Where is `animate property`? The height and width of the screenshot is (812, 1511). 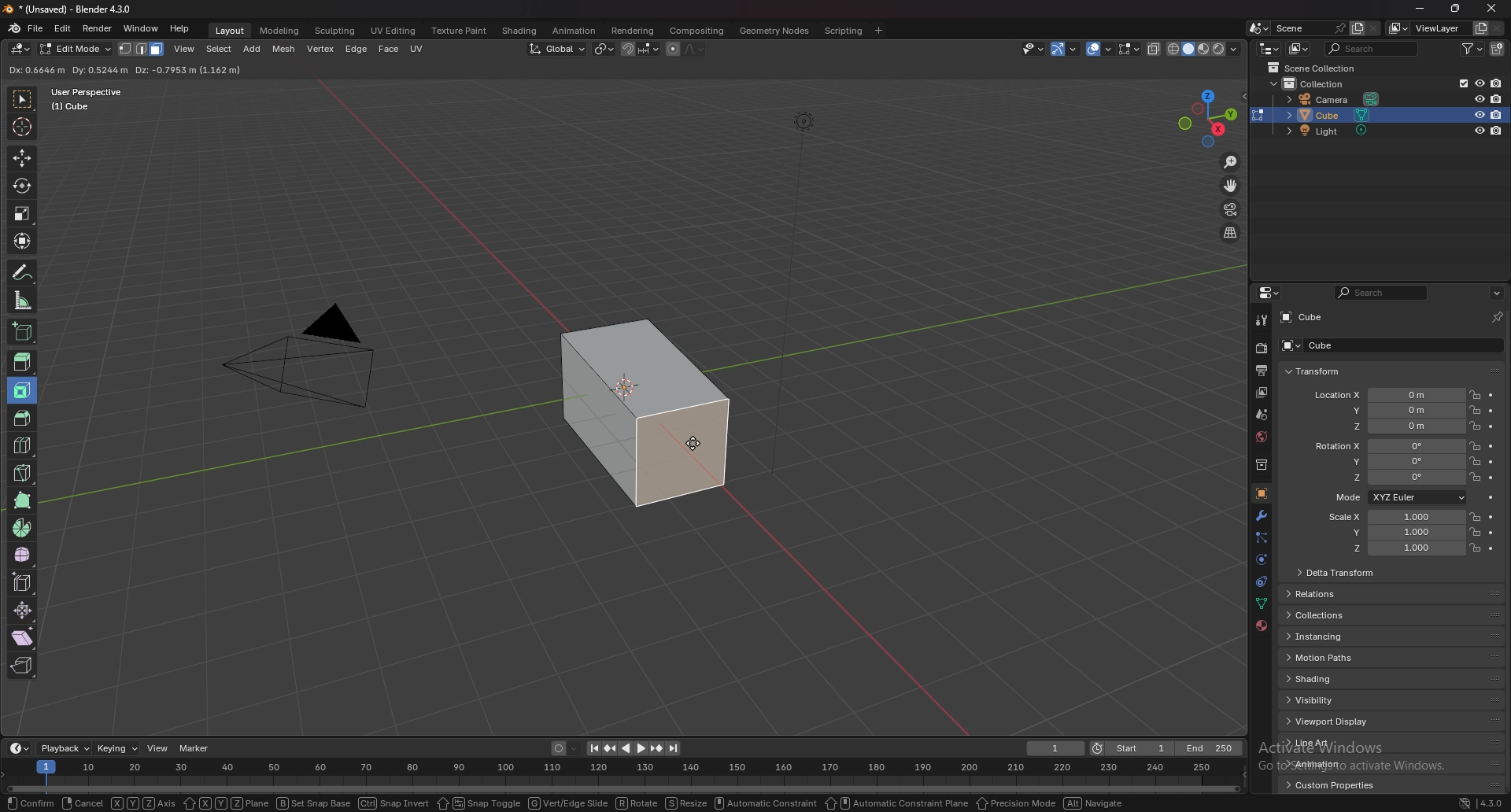
animate property is located at coordinates (1491, 463).